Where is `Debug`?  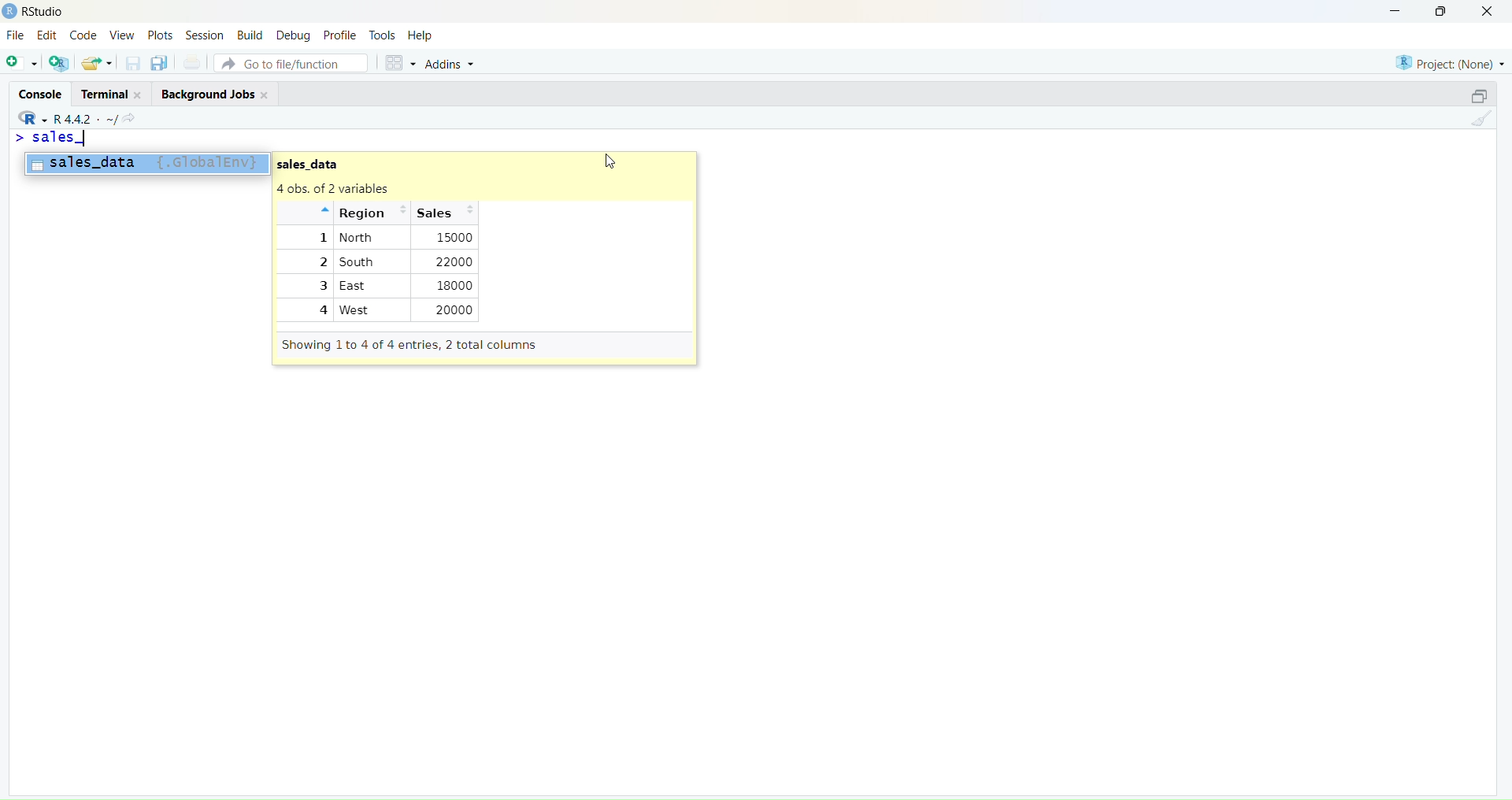 Debug is located at coordinates (293, 35).